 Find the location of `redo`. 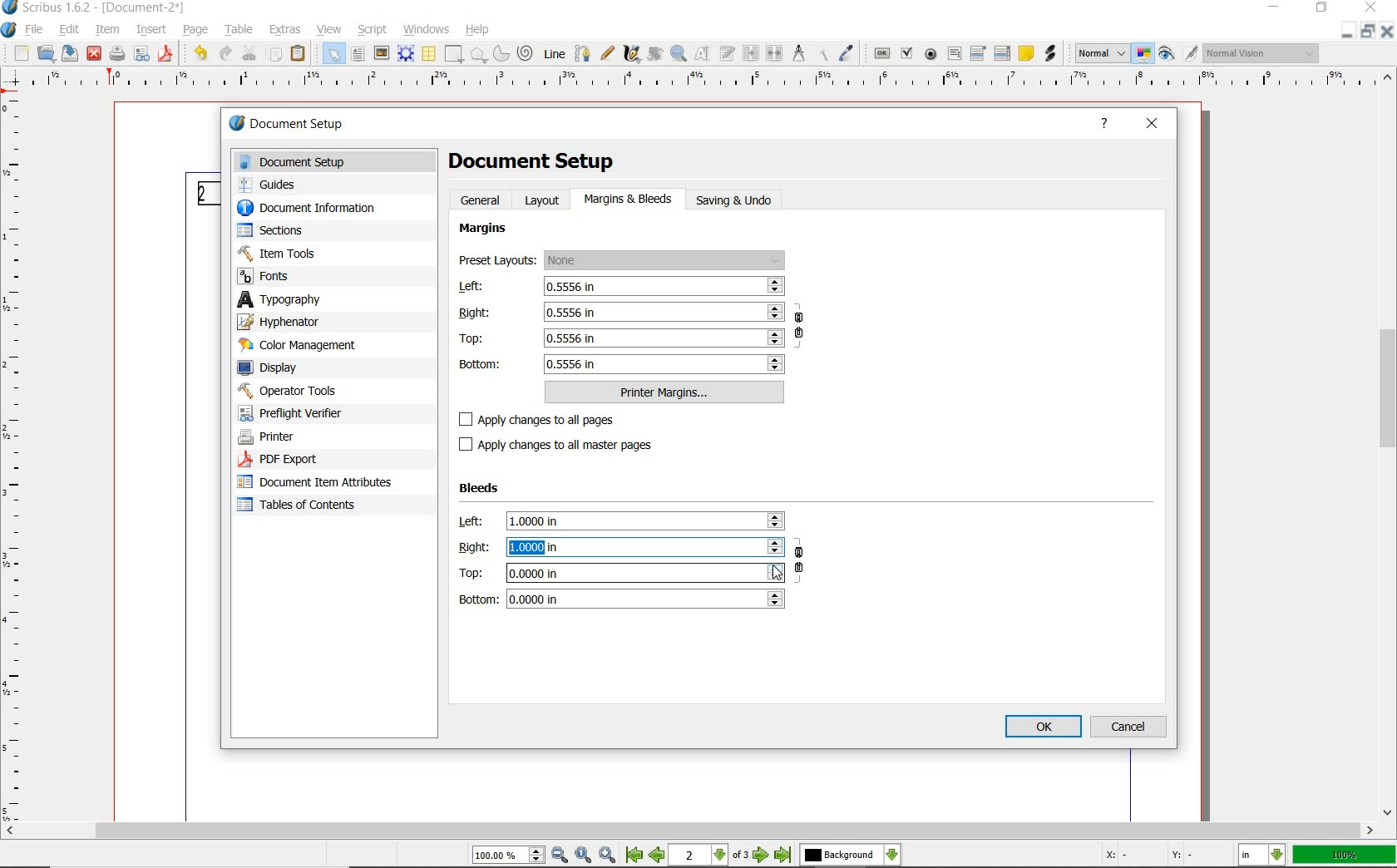

redo is located at coordinates (224, 53).